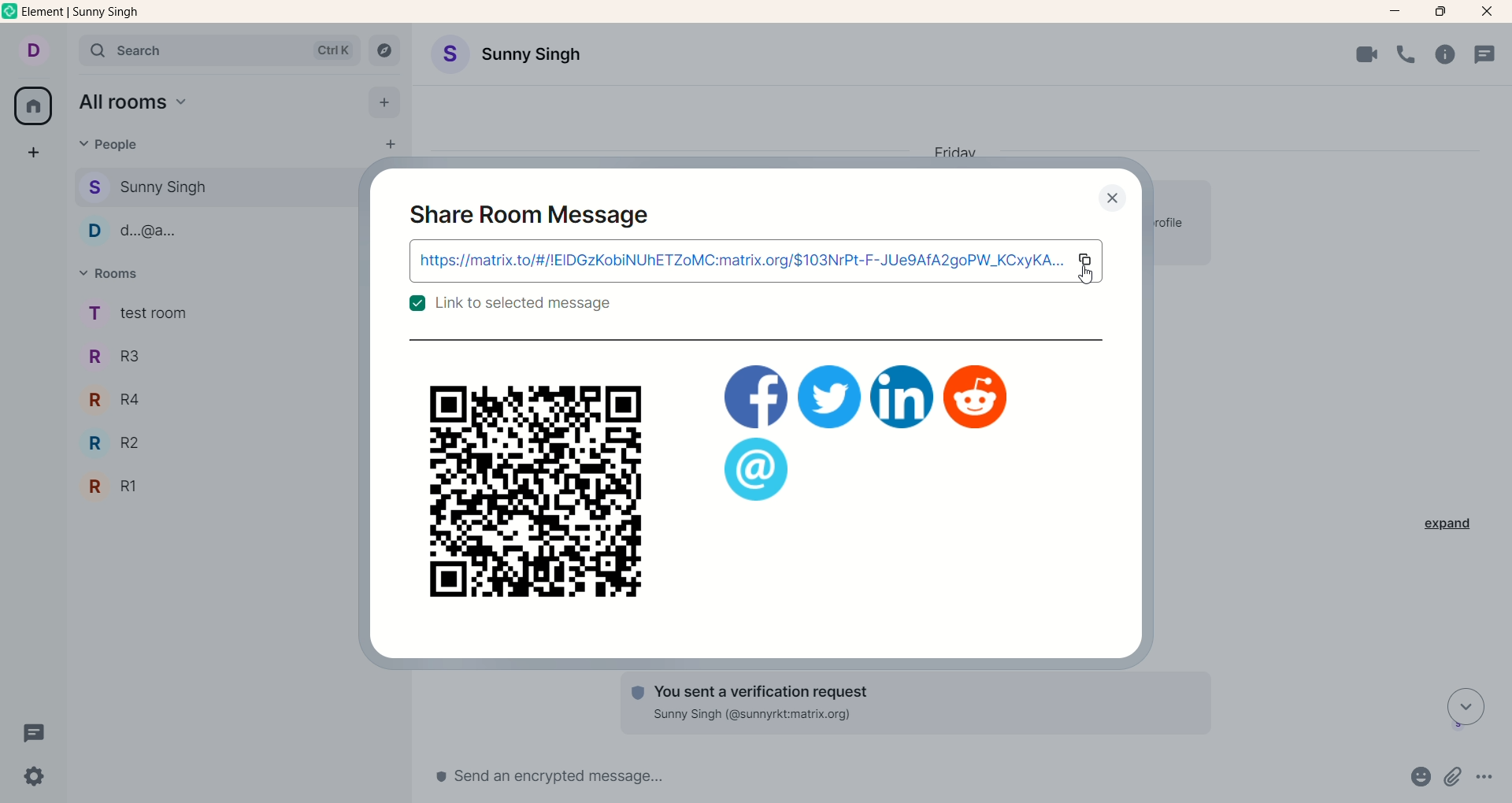  Describe the element at coordinates (1449, 55) in the screenshot. I see `room info` at that location.